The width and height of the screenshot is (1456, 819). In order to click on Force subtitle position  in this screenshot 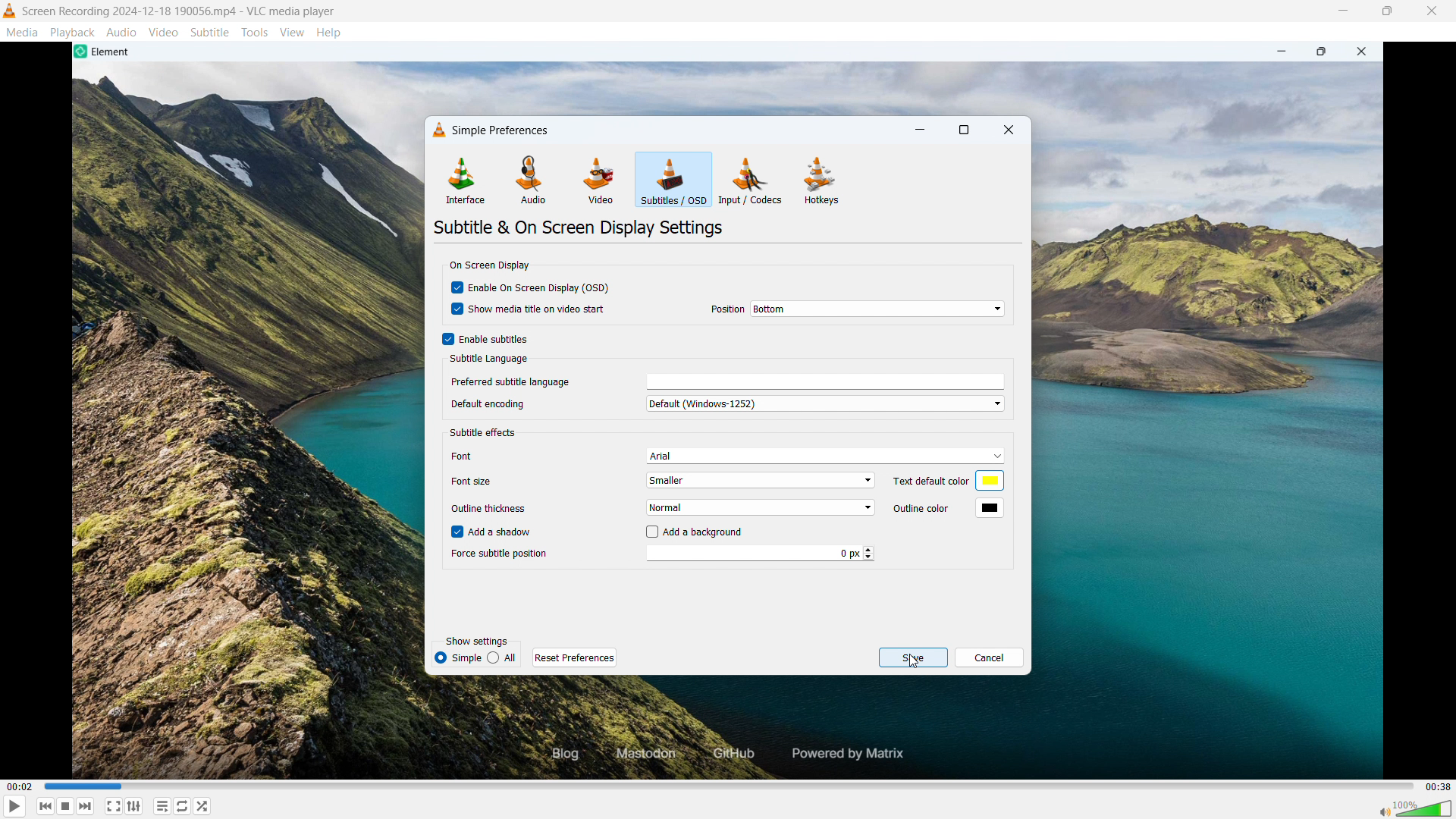, I will do `click(760, 554)`.